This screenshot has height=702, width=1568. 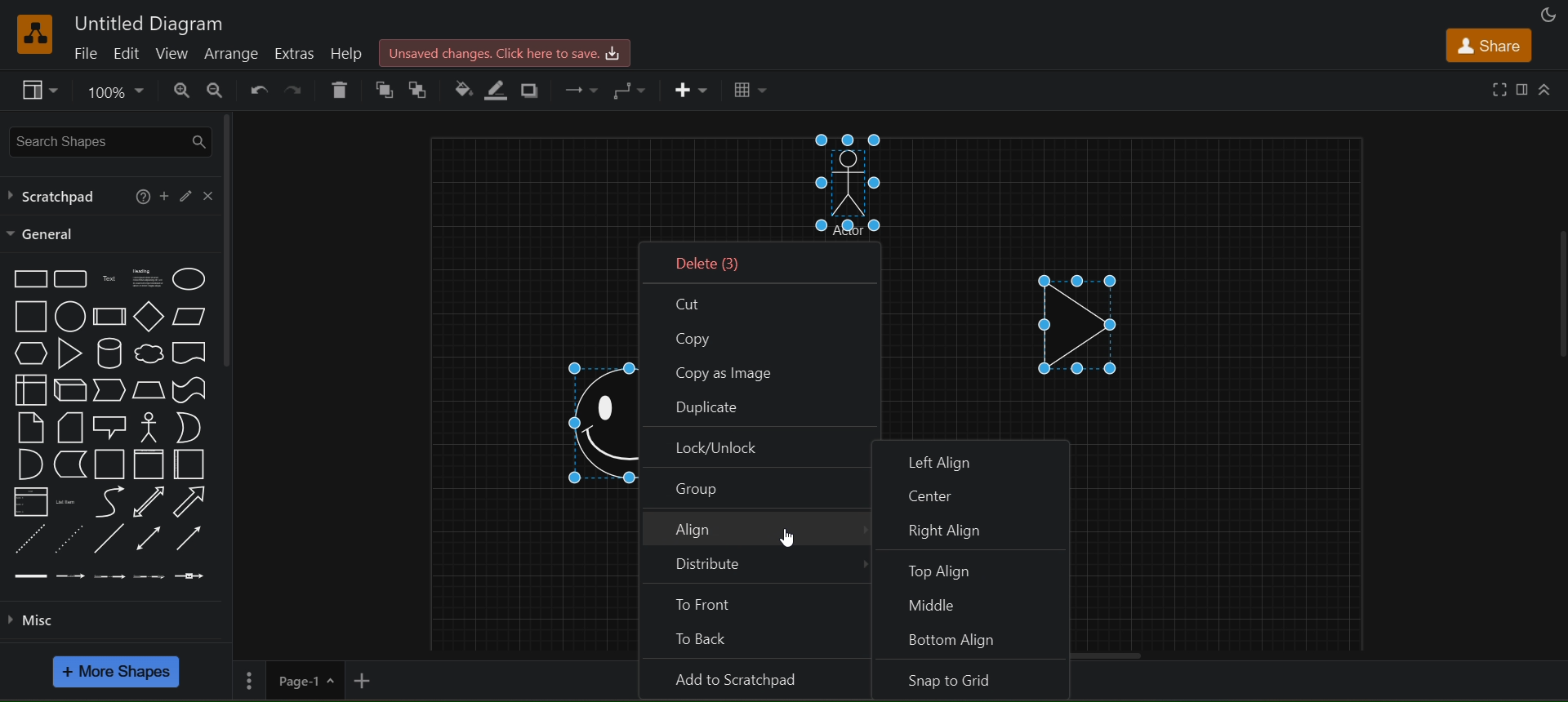 What do you see at coordinates (109, 501) in the screenshot?
I see `curve` at bounding box center [109, 501].